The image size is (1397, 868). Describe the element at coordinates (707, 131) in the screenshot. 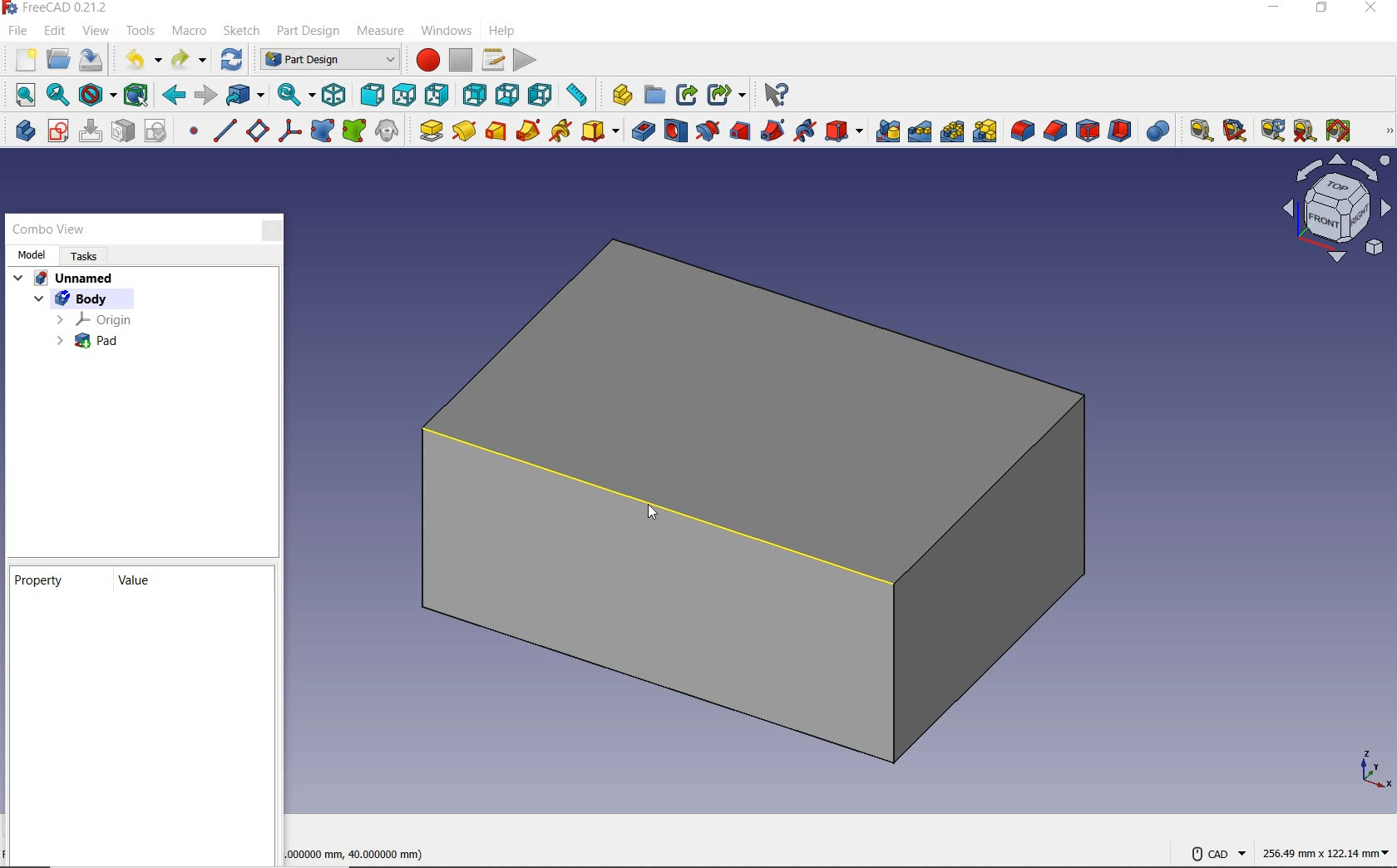

I see `groove` at that location.